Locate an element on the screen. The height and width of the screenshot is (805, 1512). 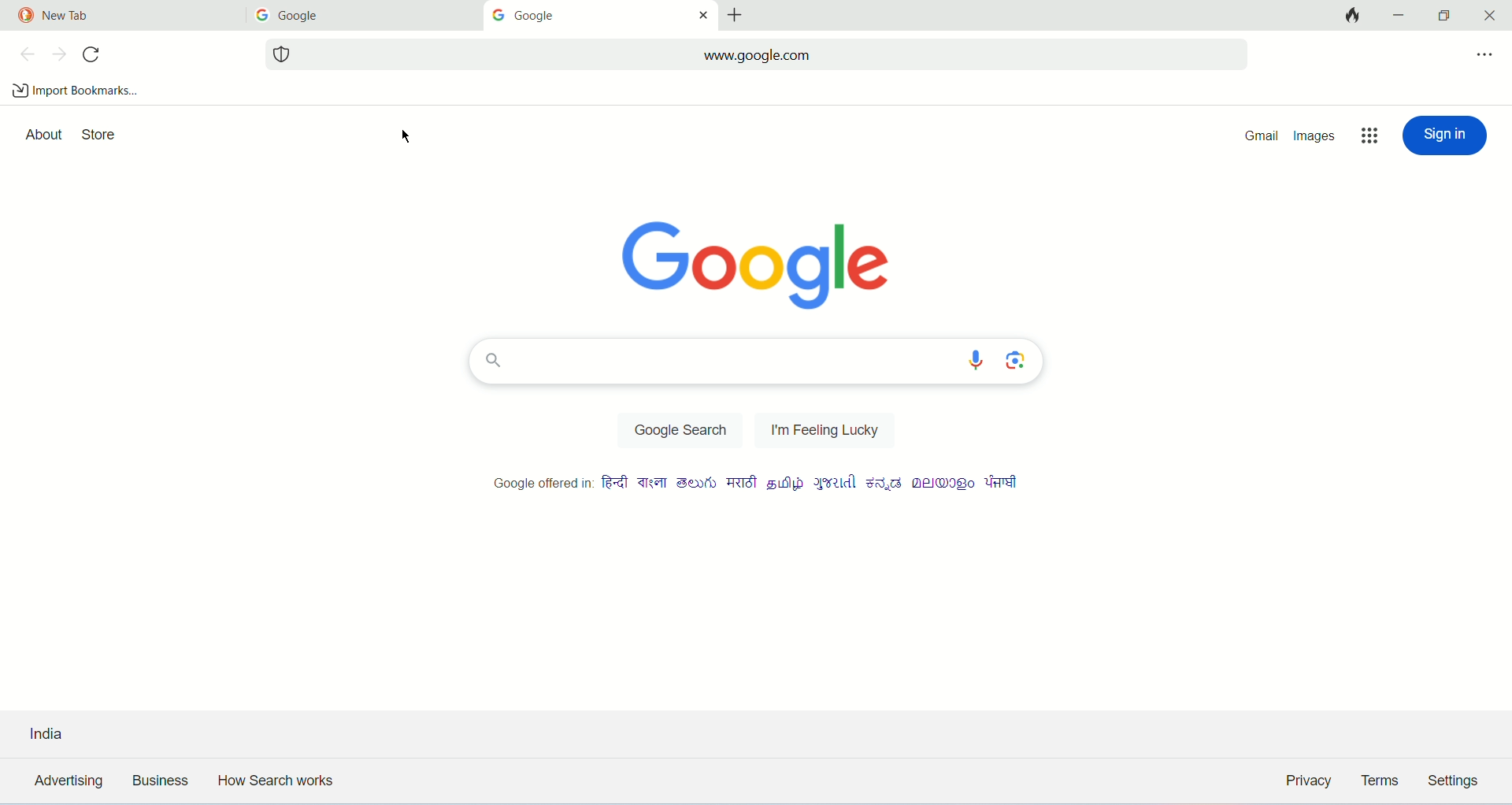
duck duck go logo is located at coordinates (20, 18).